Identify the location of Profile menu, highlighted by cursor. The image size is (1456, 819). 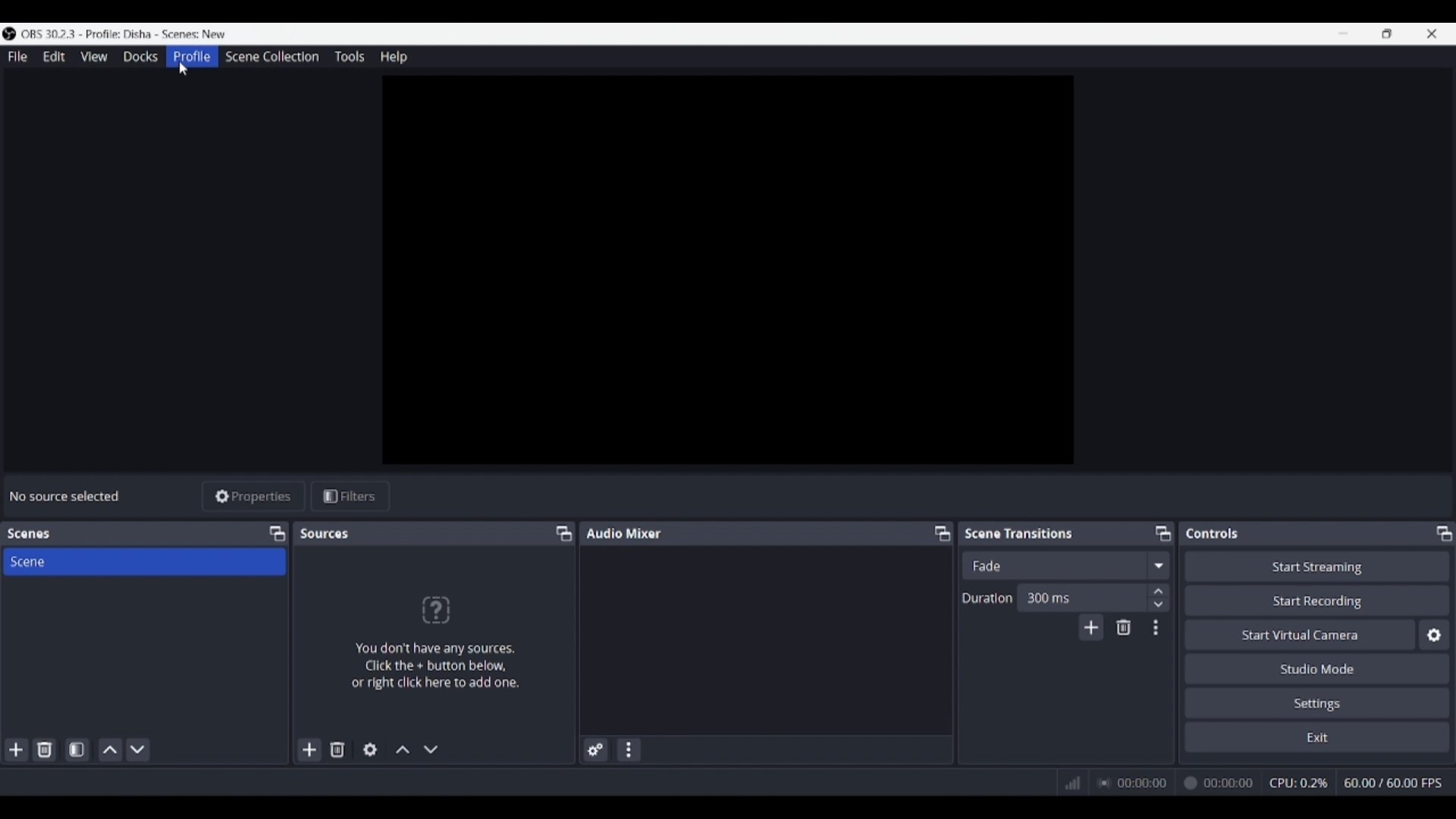
(192, 57).